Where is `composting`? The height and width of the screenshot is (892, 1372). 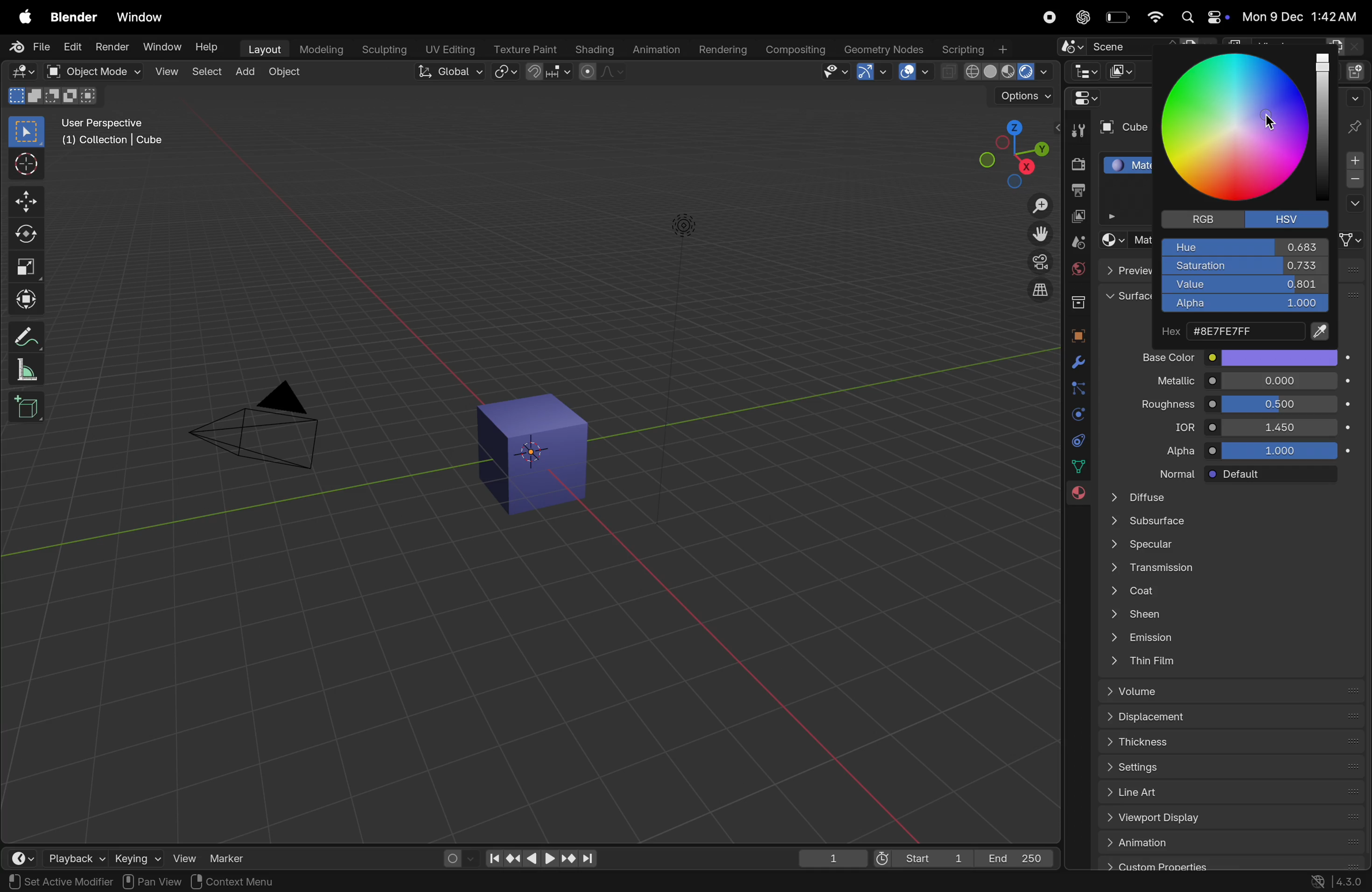
composting is located at coordinates (796, 50).